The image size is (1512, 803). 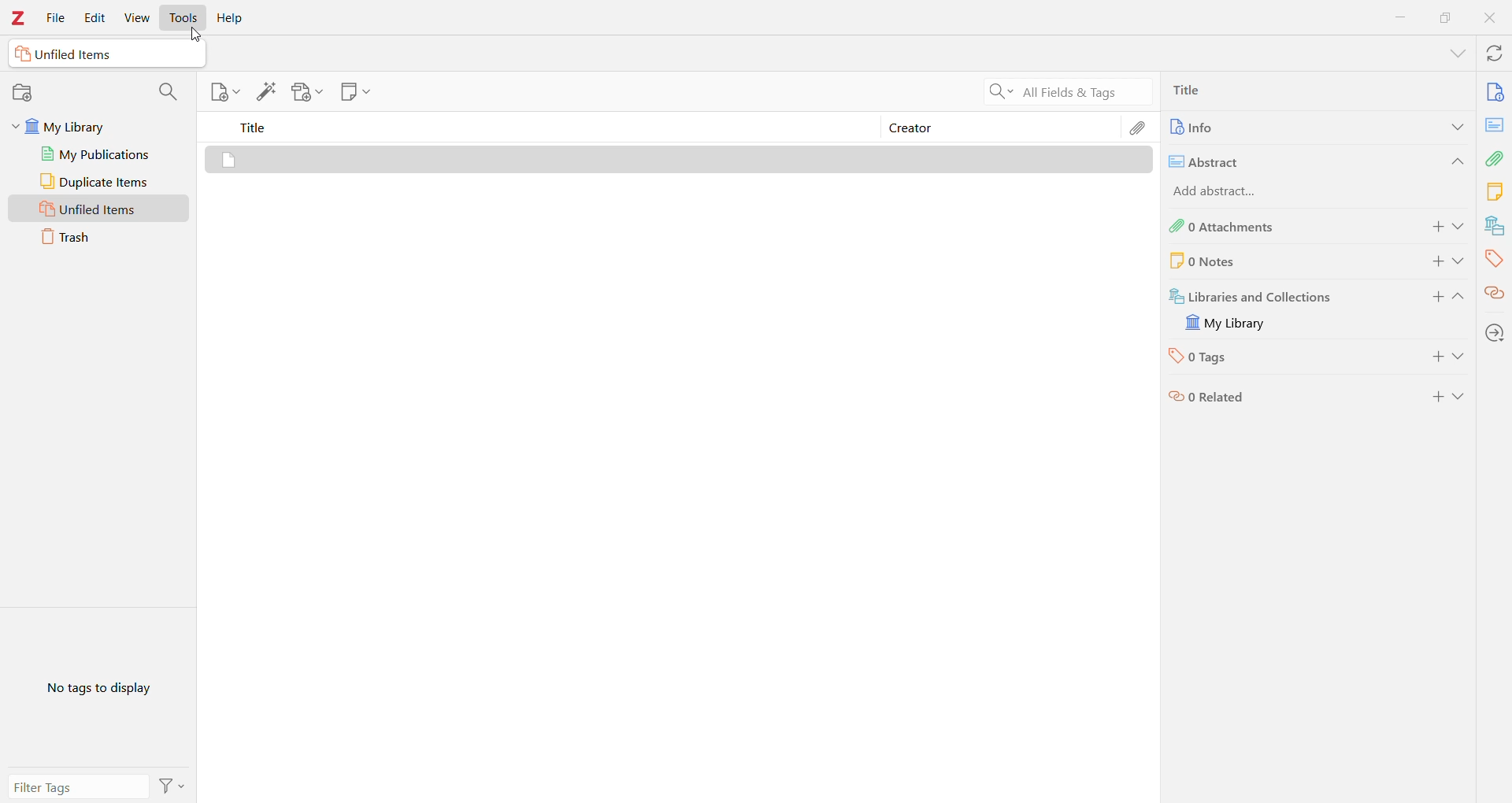 What do you see at coordinates (1459, 357) in the screenshot?
I see `Expand Section` at bounding box center [1459, 357].